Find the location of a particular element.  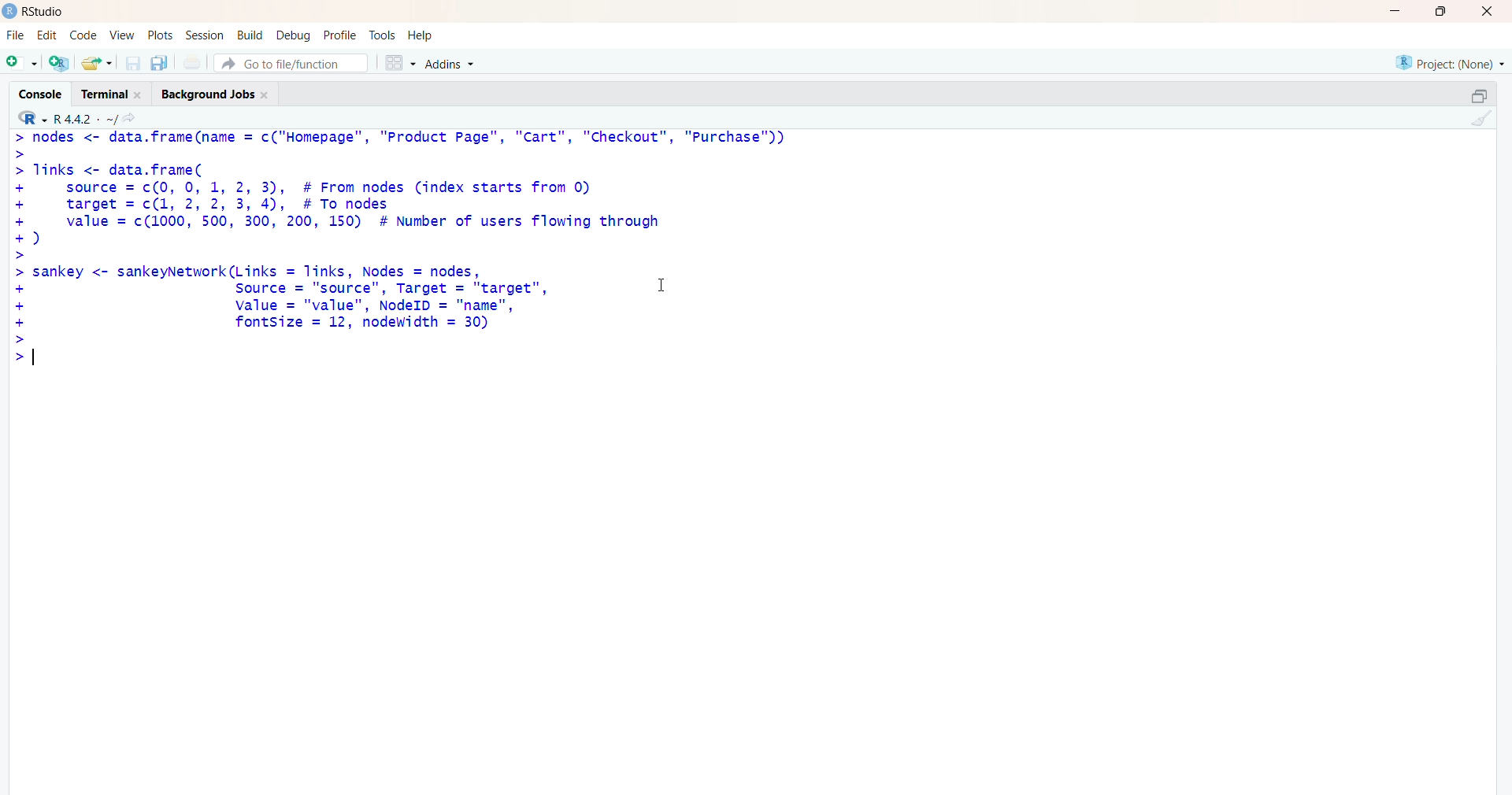

exit is located at coordinates (1485, 13).